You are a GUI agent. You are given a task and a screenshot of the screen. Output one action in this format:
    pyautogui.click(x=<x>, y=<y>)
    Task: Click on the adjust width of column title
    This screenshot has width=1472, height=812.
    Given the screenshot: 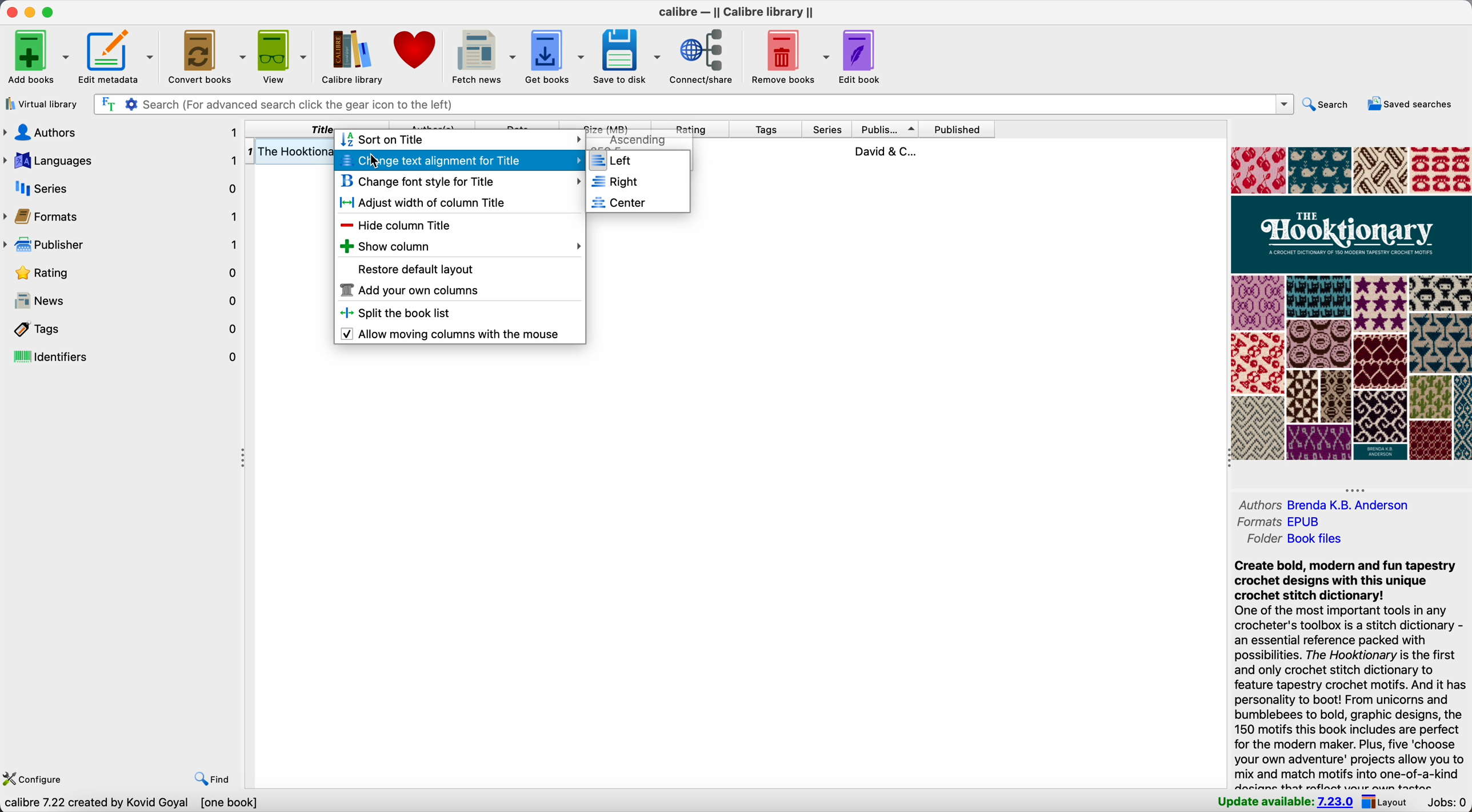 What is the action you would take?
    pyautogui.click(x=430, y=203)
    